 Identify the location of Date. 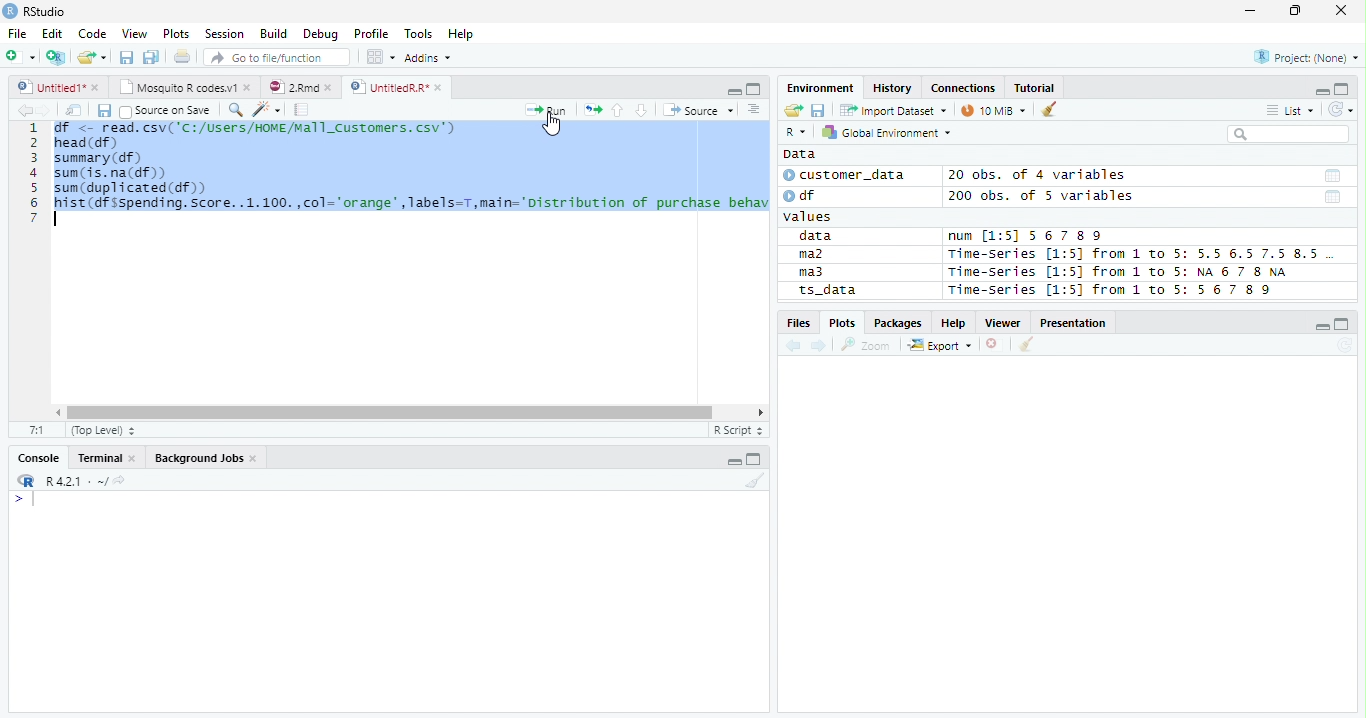
(1331, 176).